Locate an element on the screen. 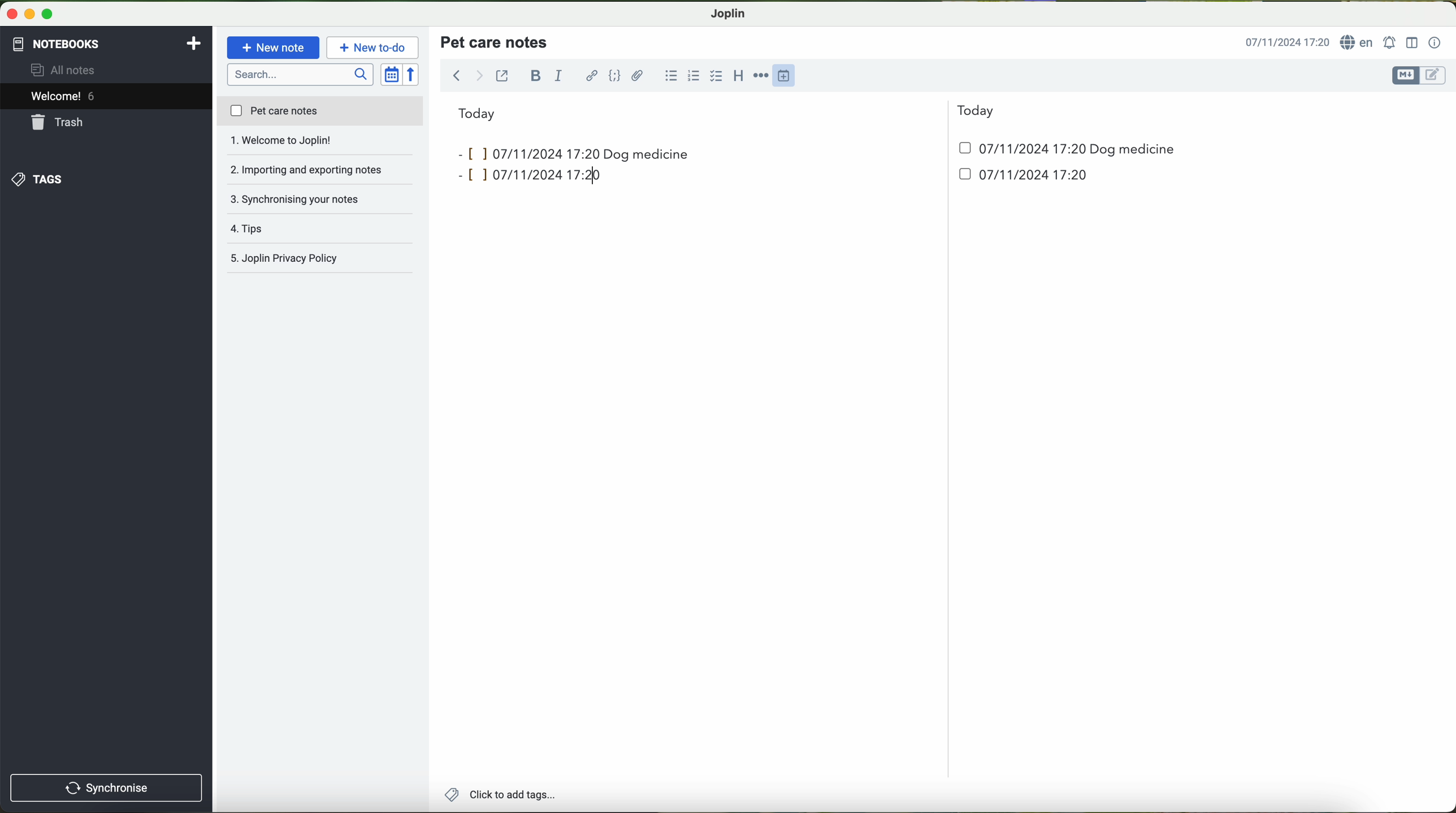  code is located at coordinates (614, 75).